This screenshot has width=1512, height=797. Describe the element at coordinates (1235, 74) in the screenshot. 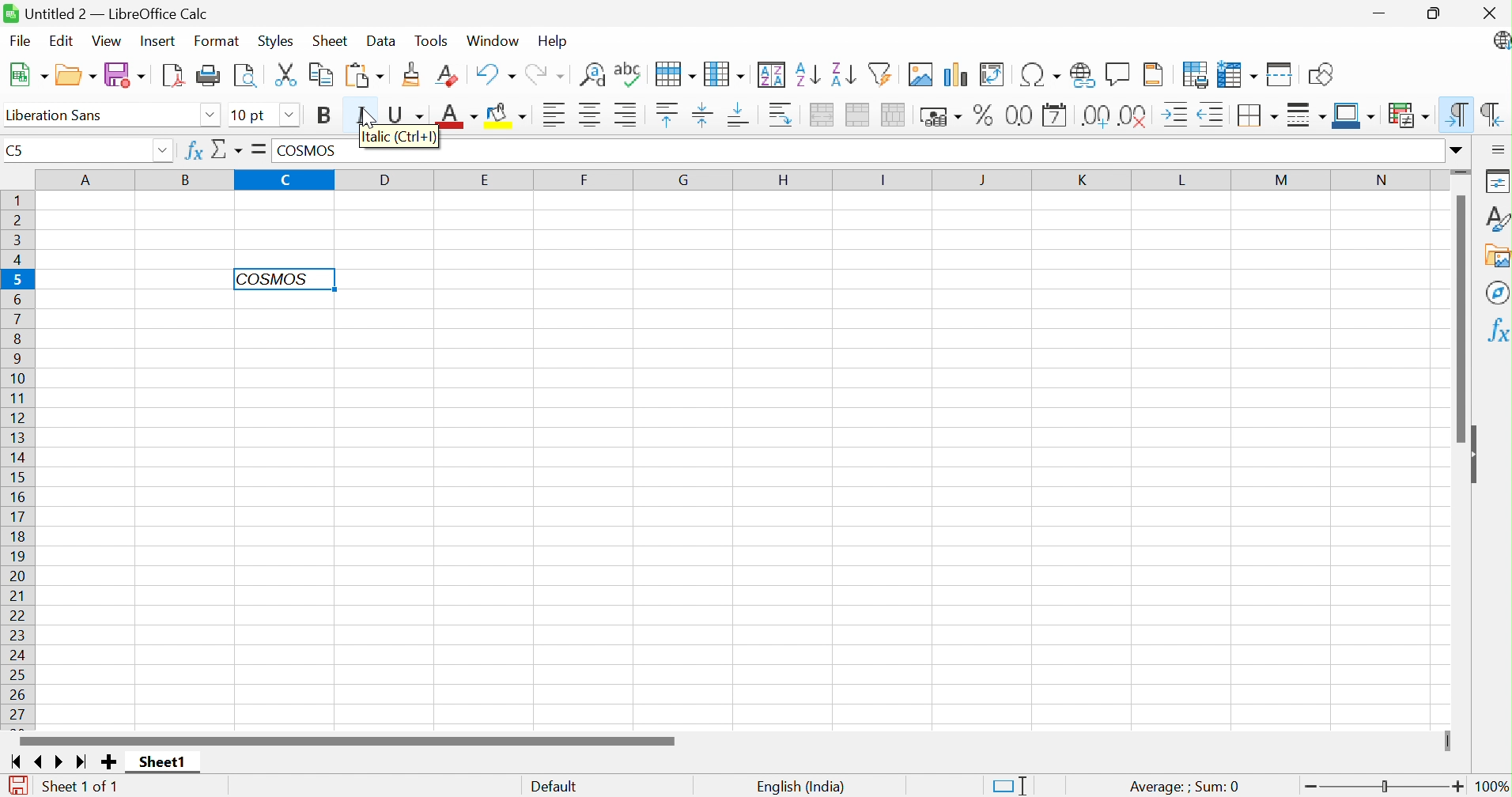

I see `Freeze rows and columns` at that location.